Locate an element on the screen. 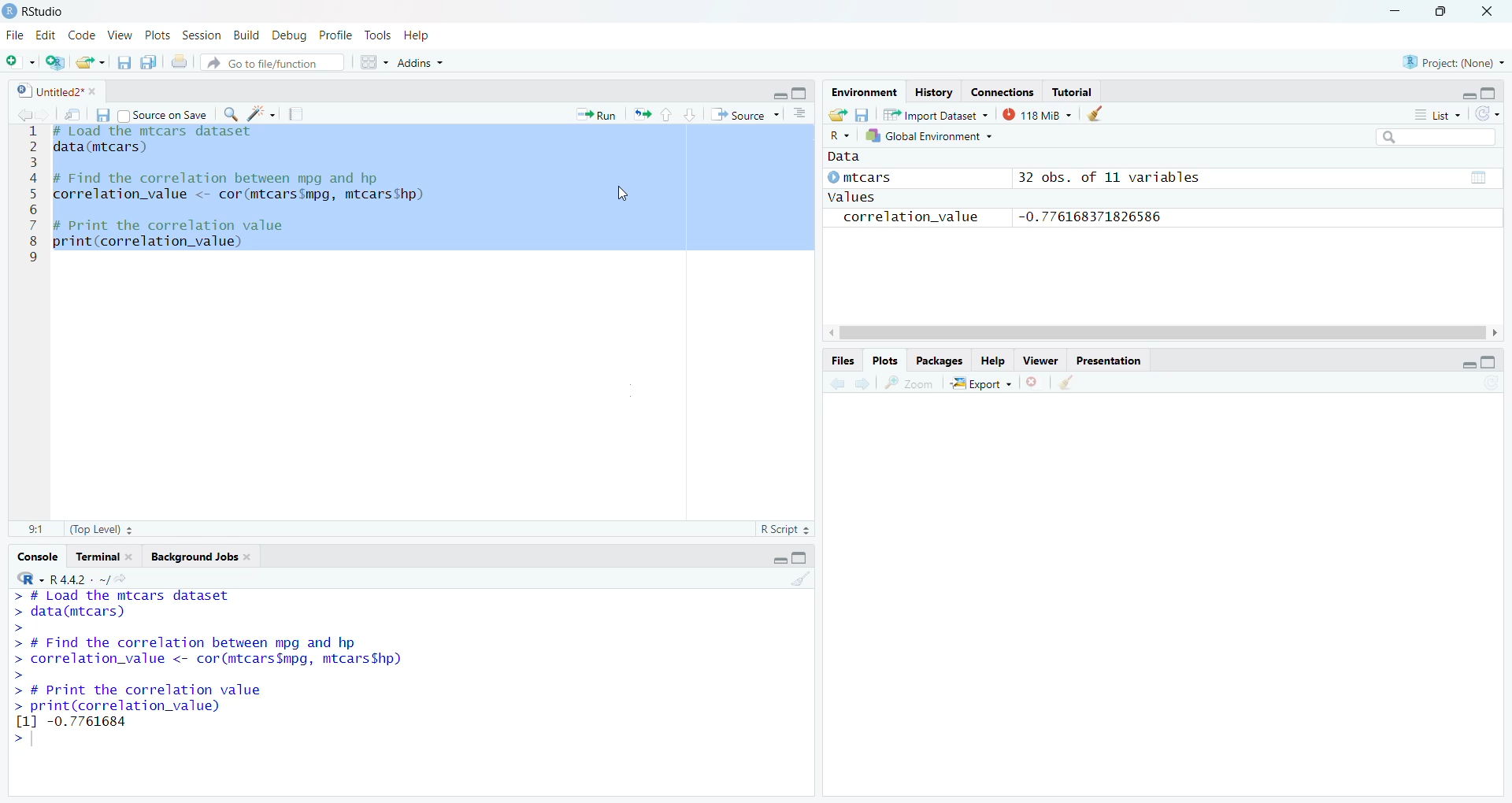 The height and width of the screenshot is (803, 1512). Close is located at coordinates (1034, 380).